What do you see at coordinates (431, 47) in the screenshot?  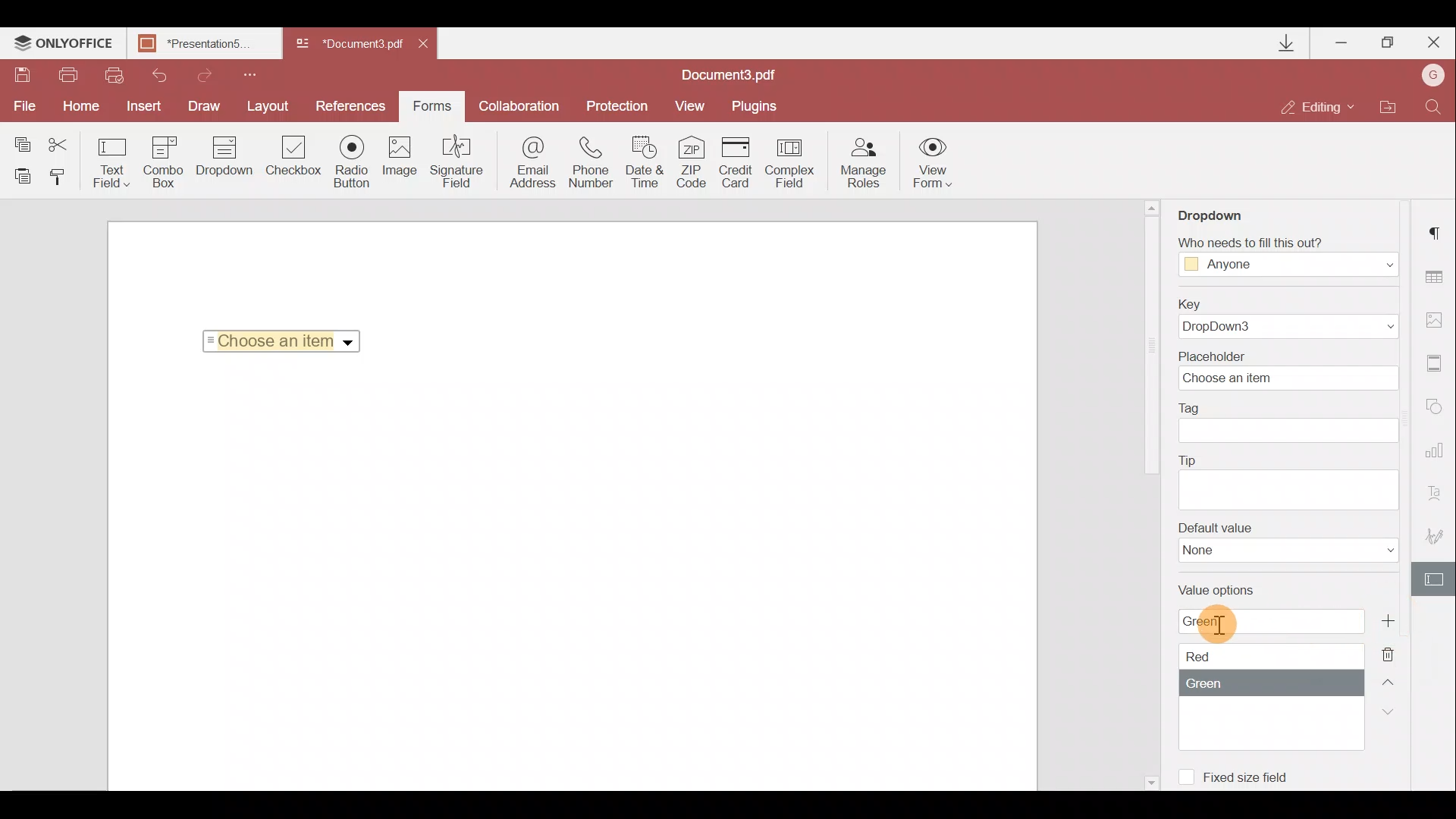 I see `Close` at bounding box center [431, 47].